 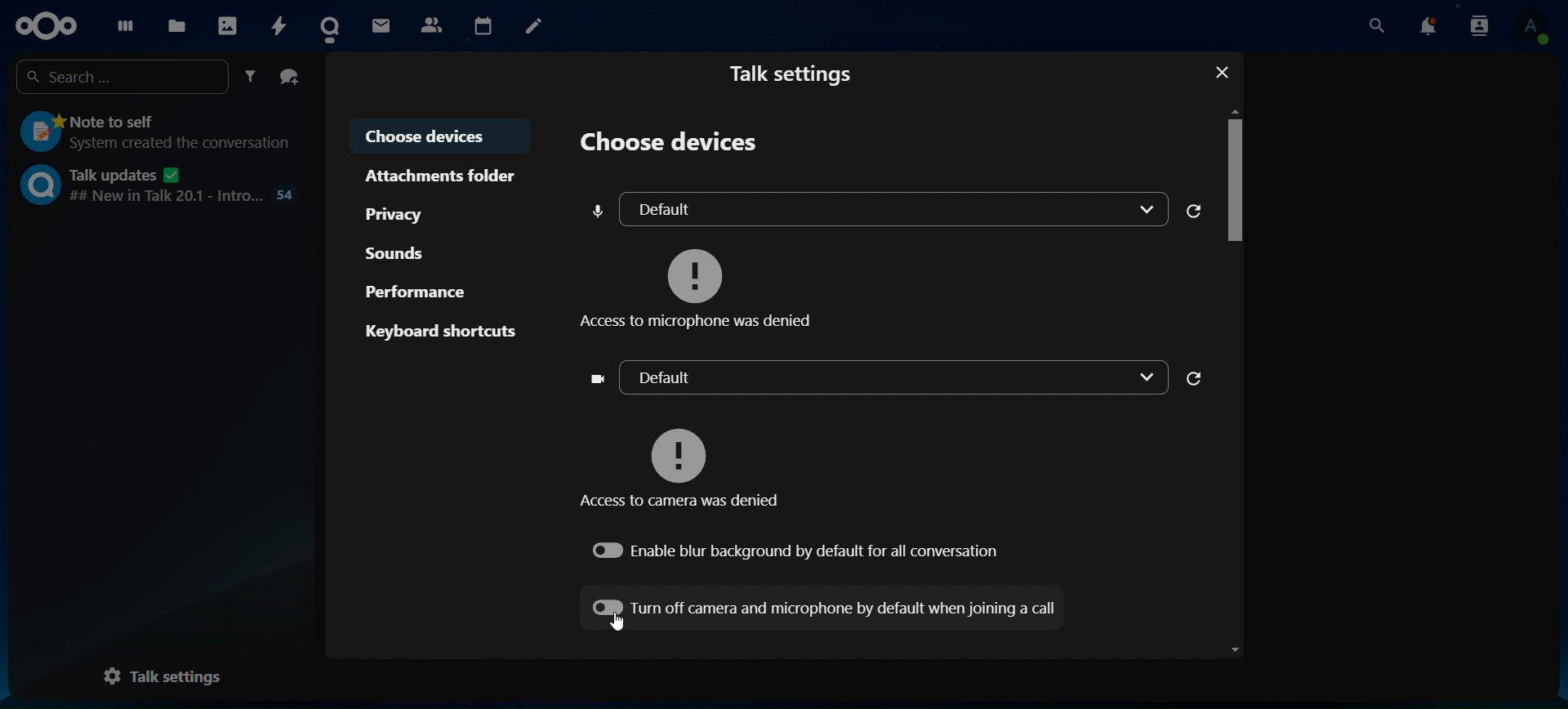 I want to click on access to camera was denied, so click(x=689, y=466).